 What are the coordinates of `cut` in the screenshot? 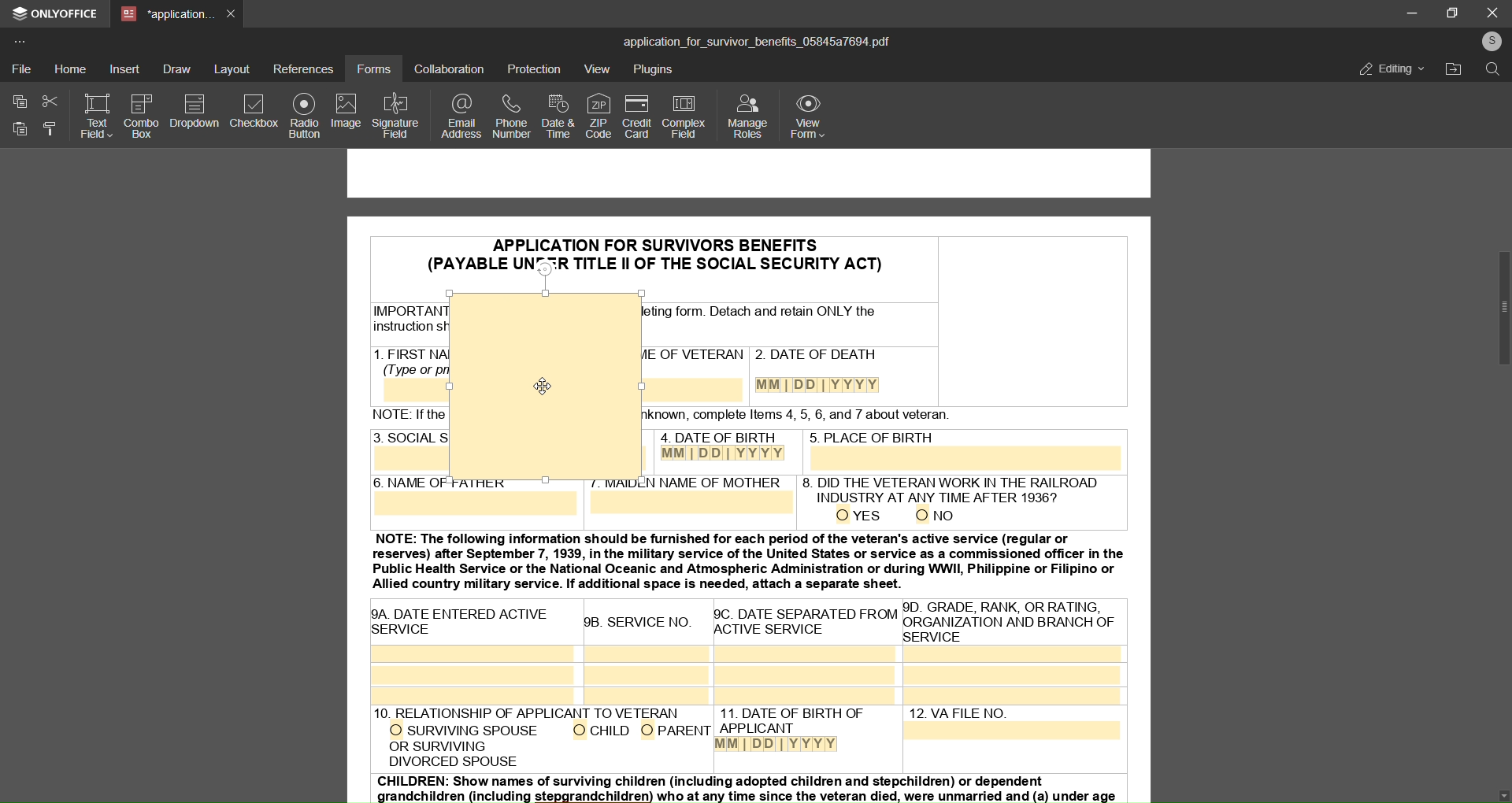 It's located at (47, 101).